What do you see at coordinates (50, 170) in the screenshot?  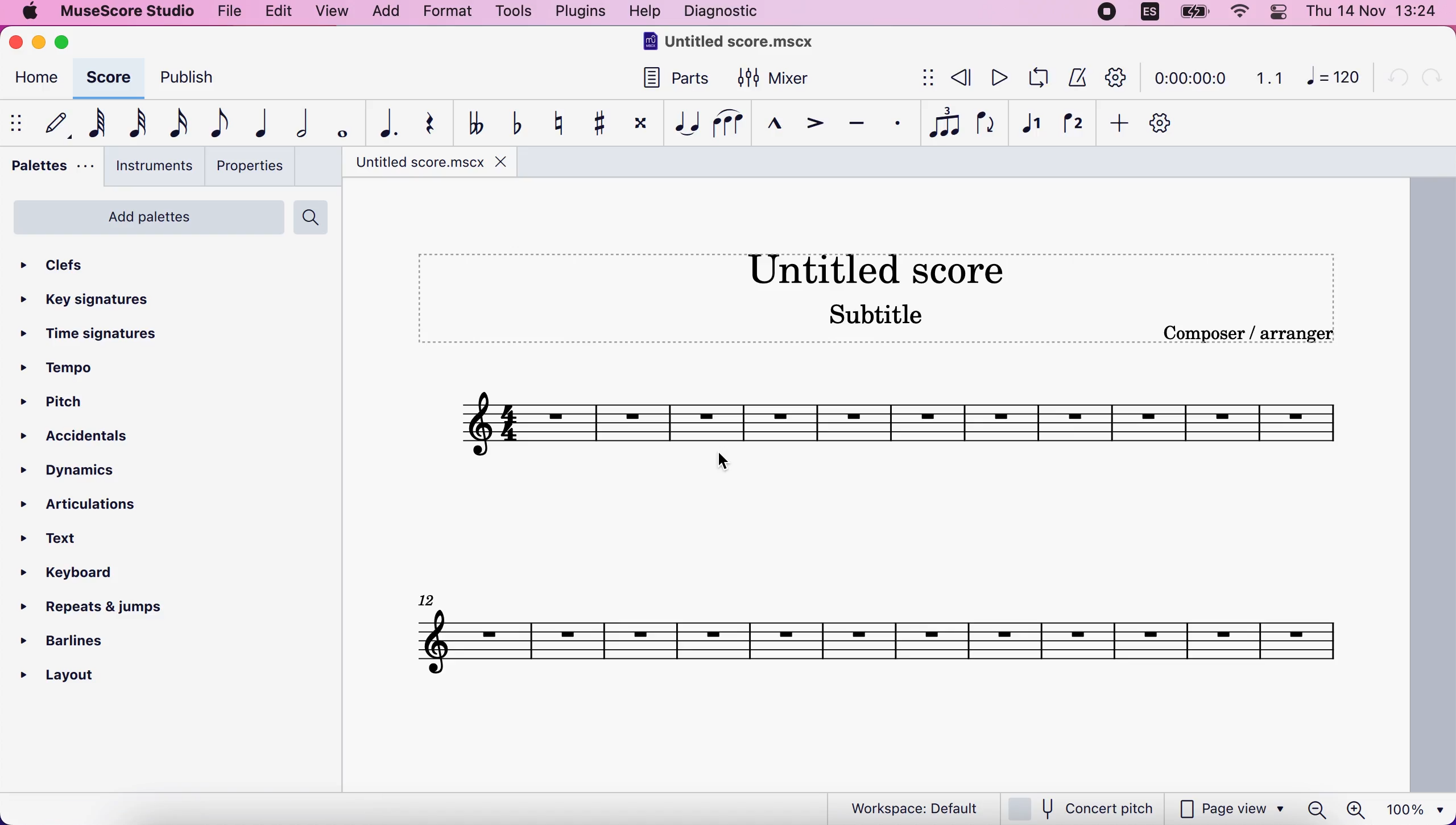 I see `palettes` at bounding box center [50, 170].